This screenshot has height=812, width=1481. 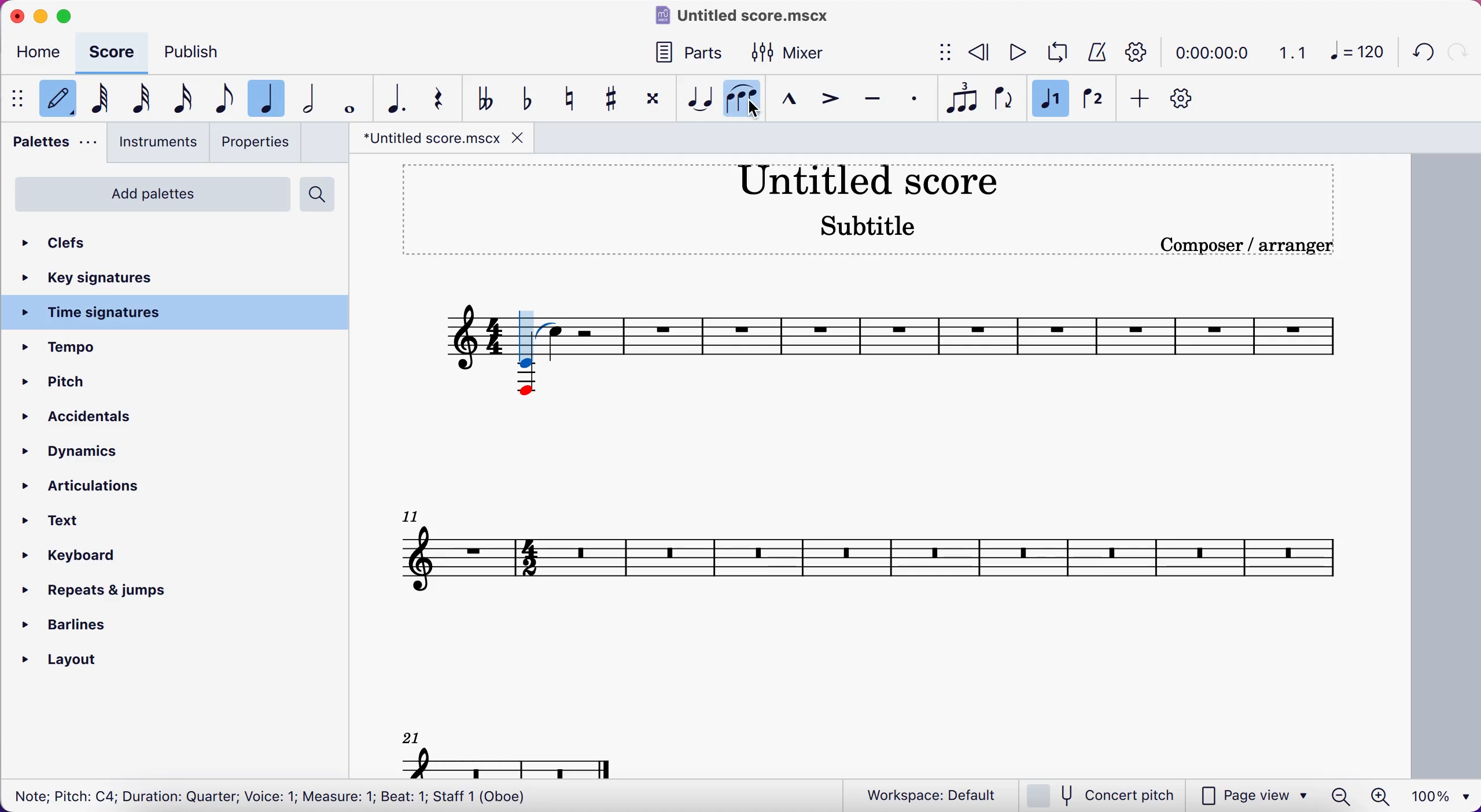 I want to click on flip direction, so click(x=1001, y=97).